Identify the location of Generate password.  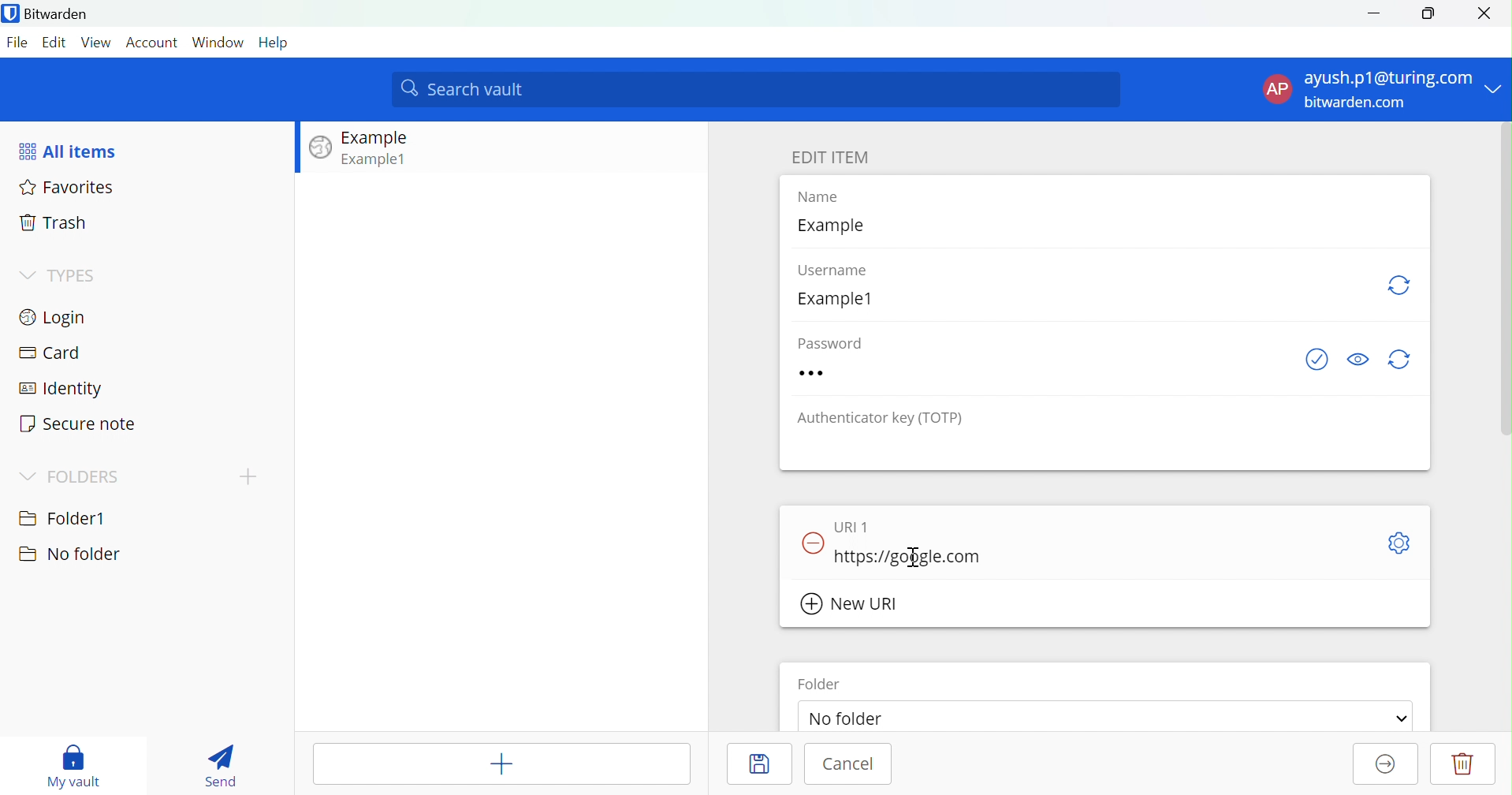
(1404, 359).